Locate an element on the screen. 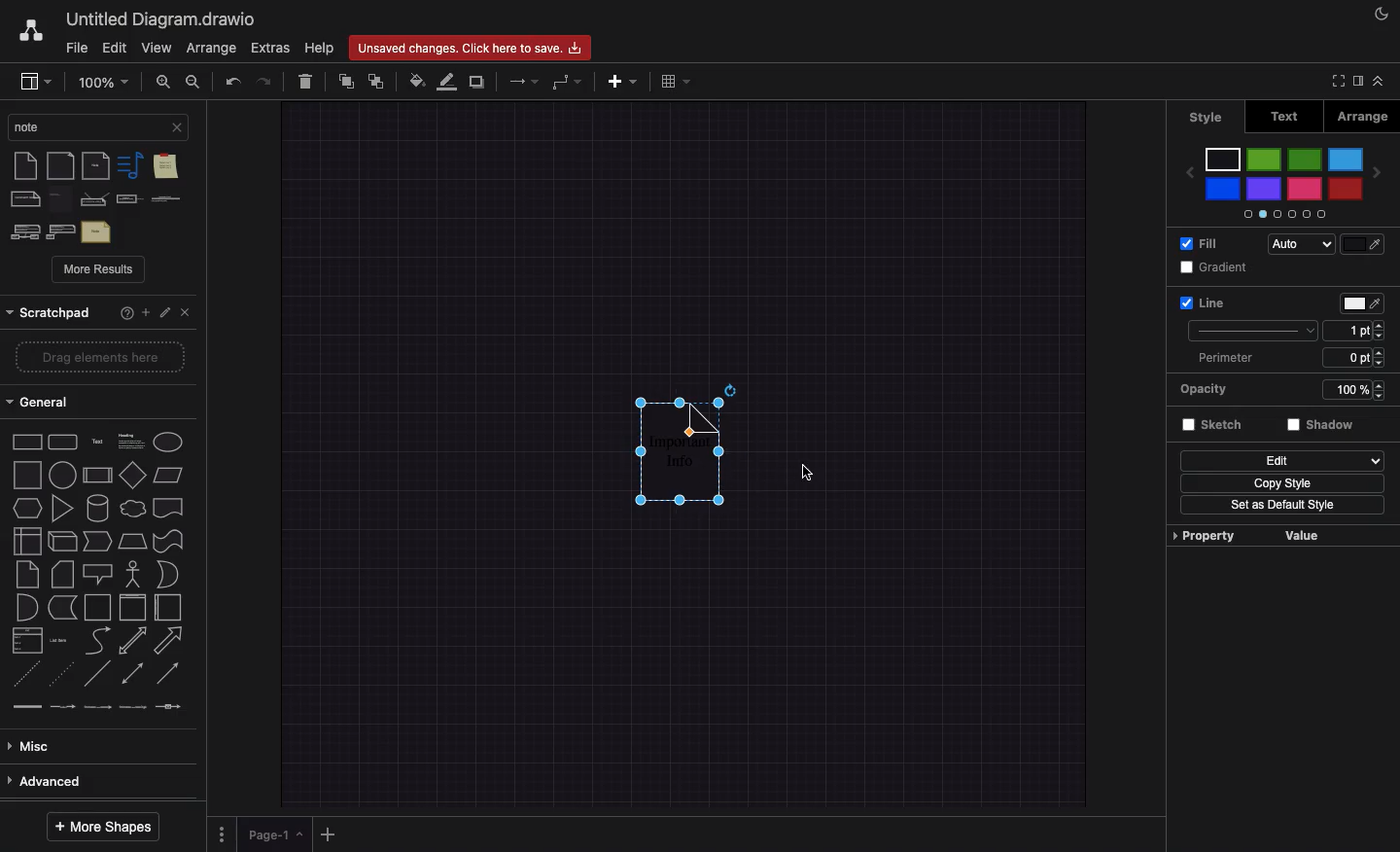 The width and height of the screenshot is (1400, 852). Arrange is located at coordinates (211, 48).